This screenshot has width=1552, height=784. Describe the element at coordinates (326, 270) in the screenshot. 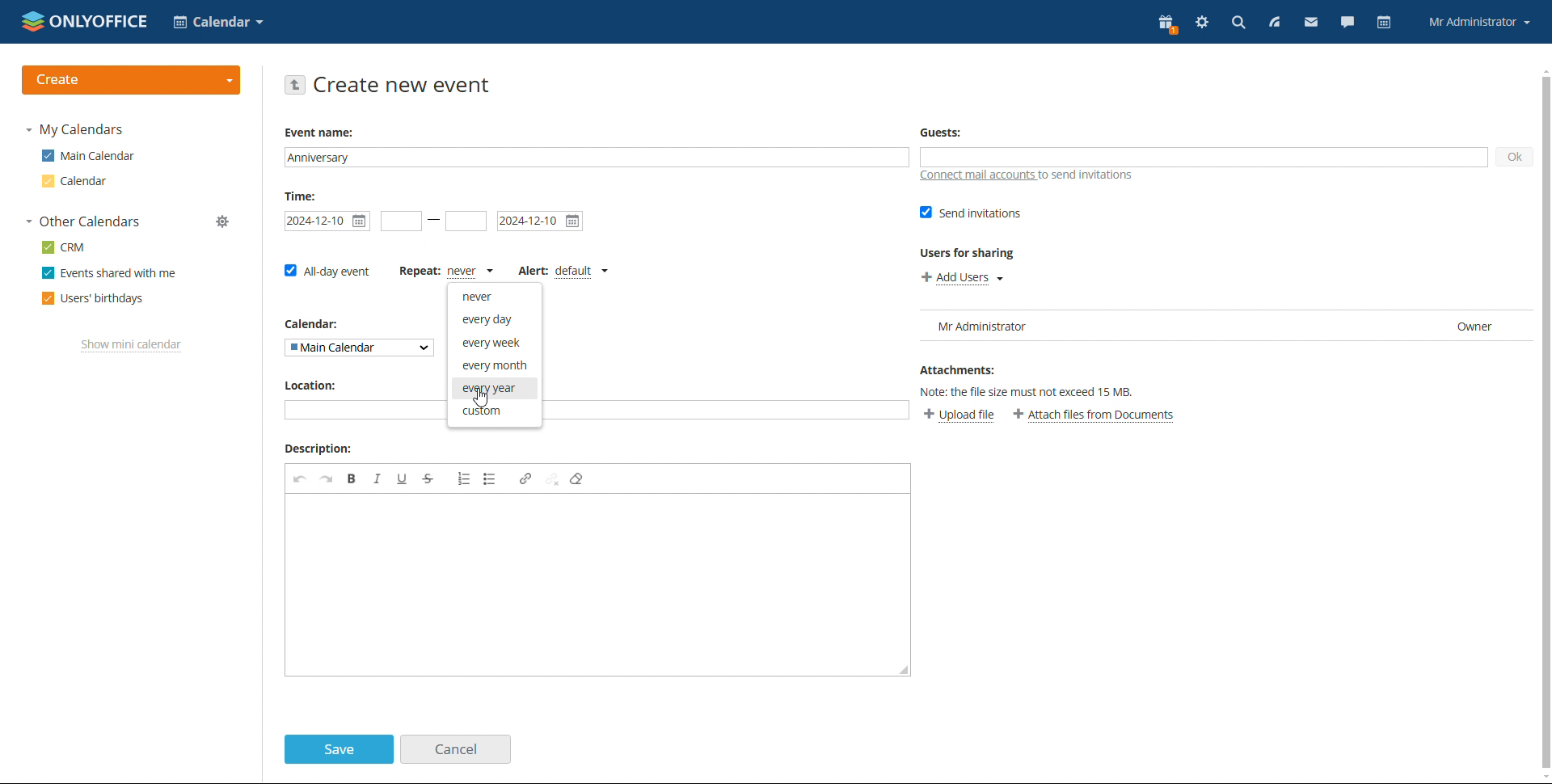

I see `all-day event checkbox` at that location.